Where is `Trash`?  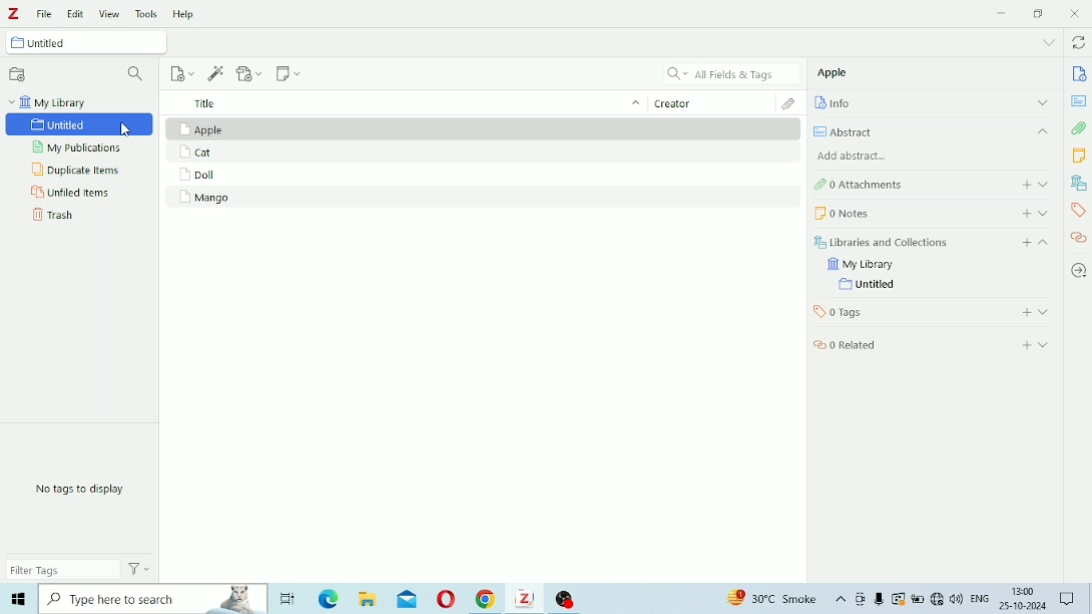 Trash is located at coordinates (53, 214).